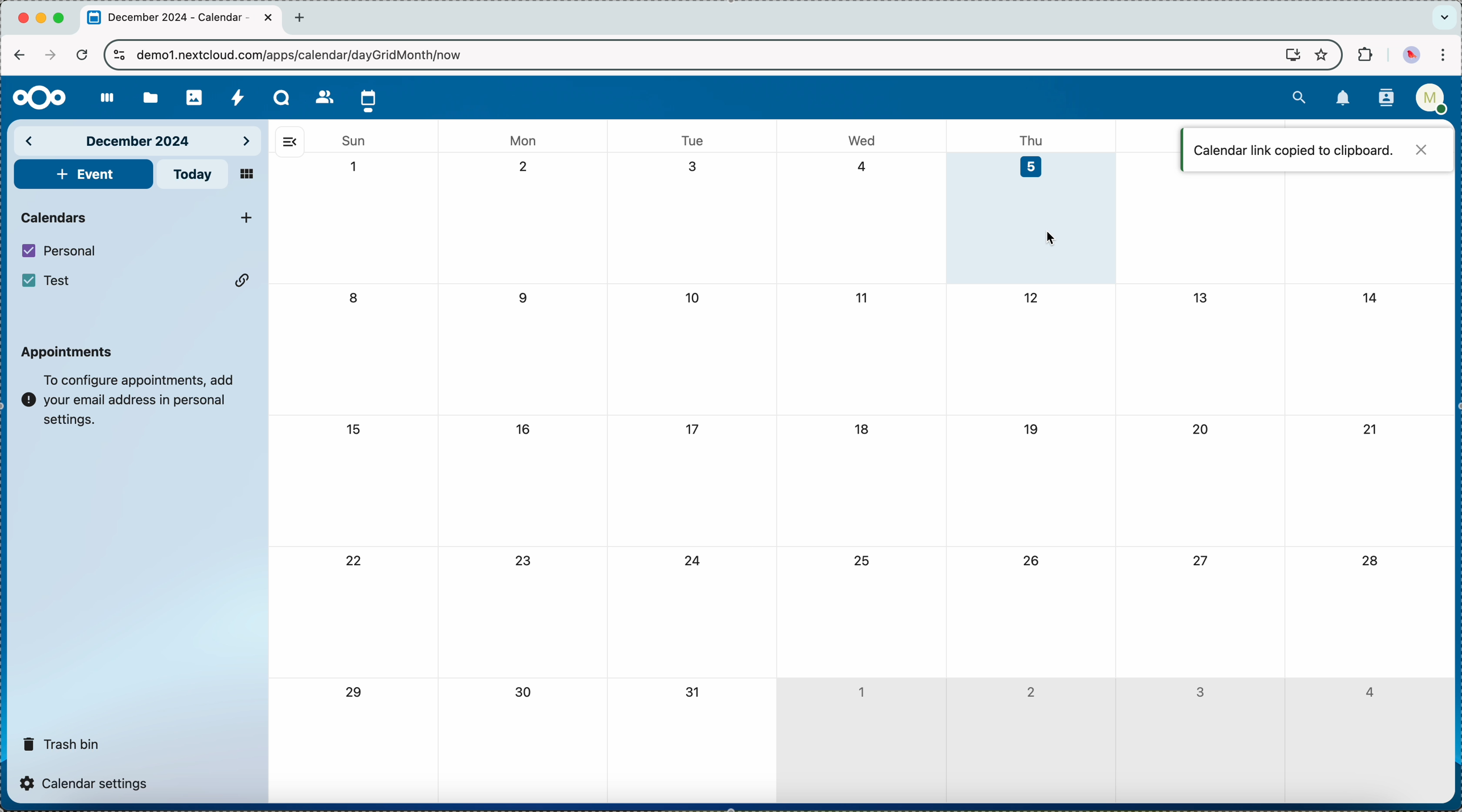 The width and height of the screenshot is (1462, 812). What do you see at coordinates (860, 560) in the screenshot?
I see `25` at bounding box center [860, 560].